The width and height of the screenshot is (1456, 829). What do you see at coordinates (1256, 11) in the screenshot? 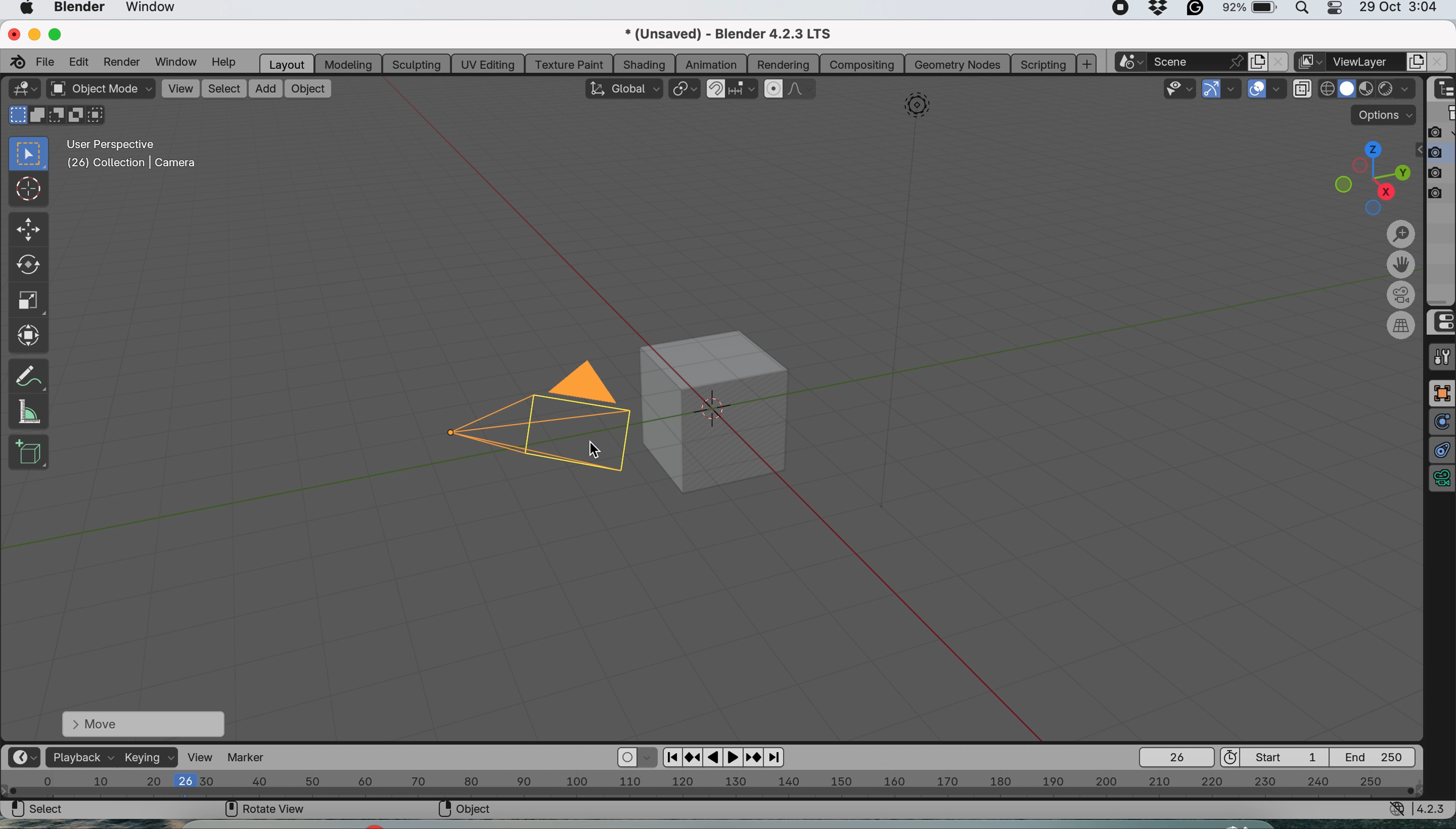
I see `battery- 92%` at bounding box center [1256, 11].